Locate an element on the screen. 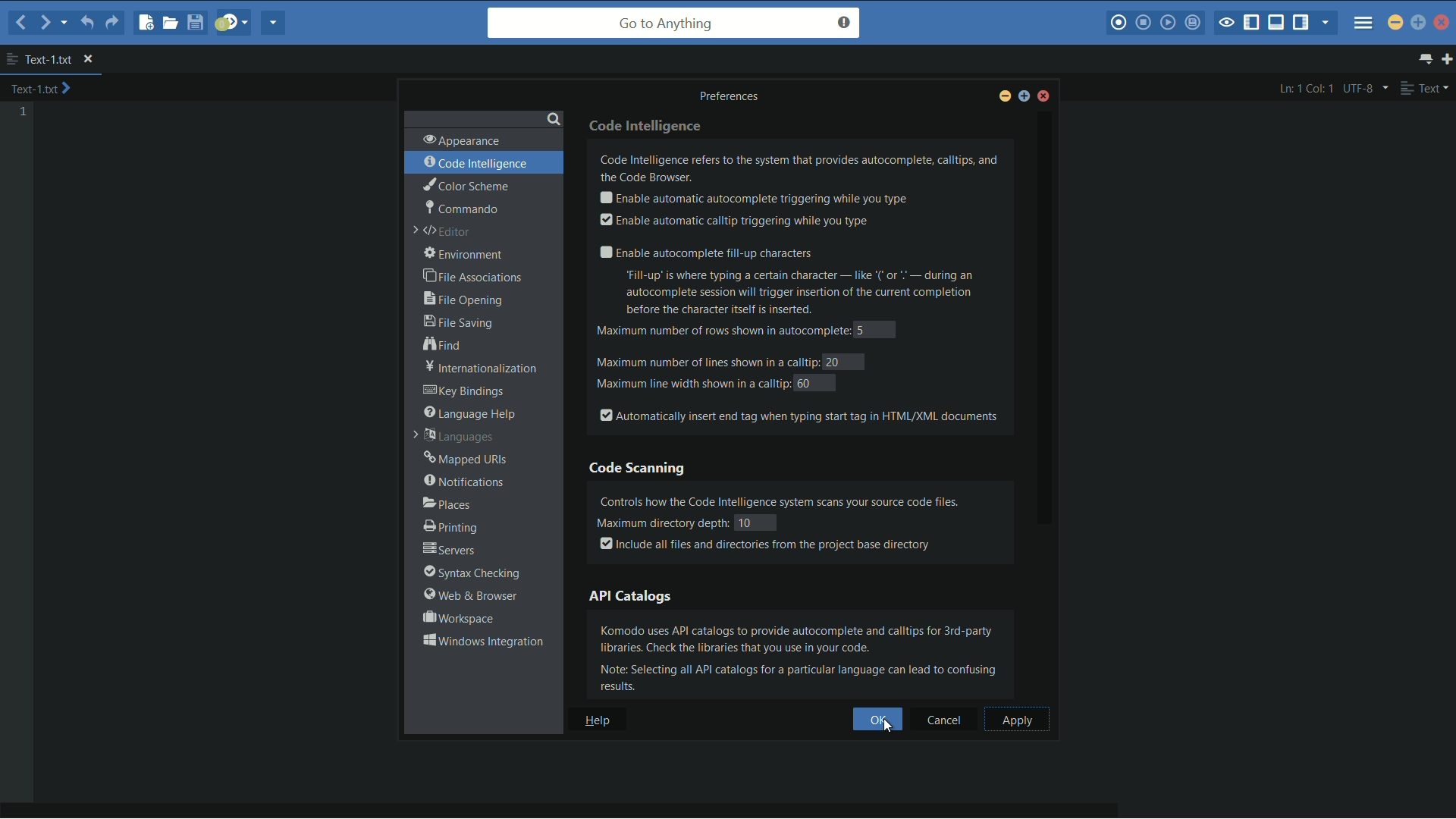 This screenshot has height=819, width=1456. UTF-8 is located at coordinates (1363, 88).